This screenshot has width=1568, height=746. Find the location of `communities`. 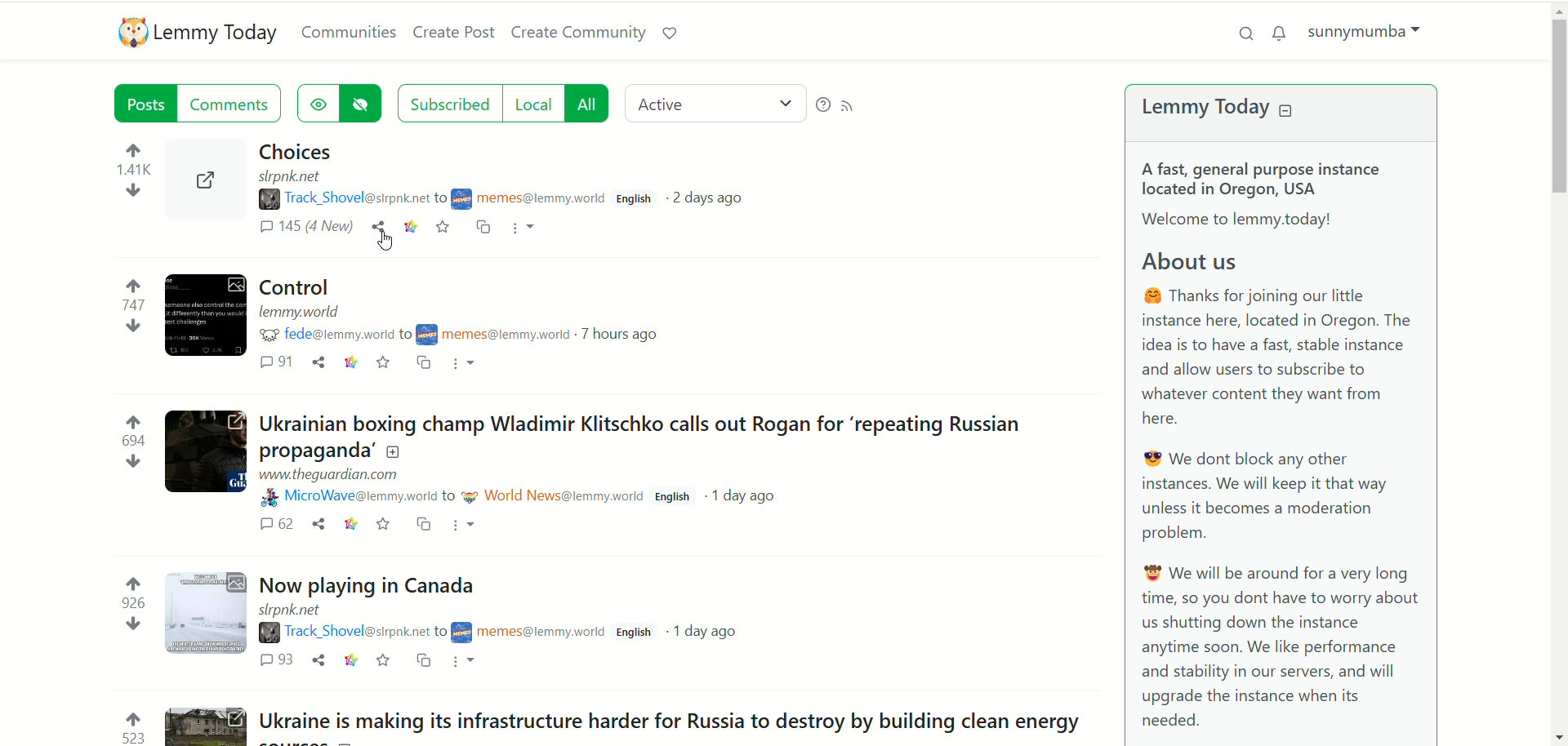

communities is located at coordinates (345, 33).